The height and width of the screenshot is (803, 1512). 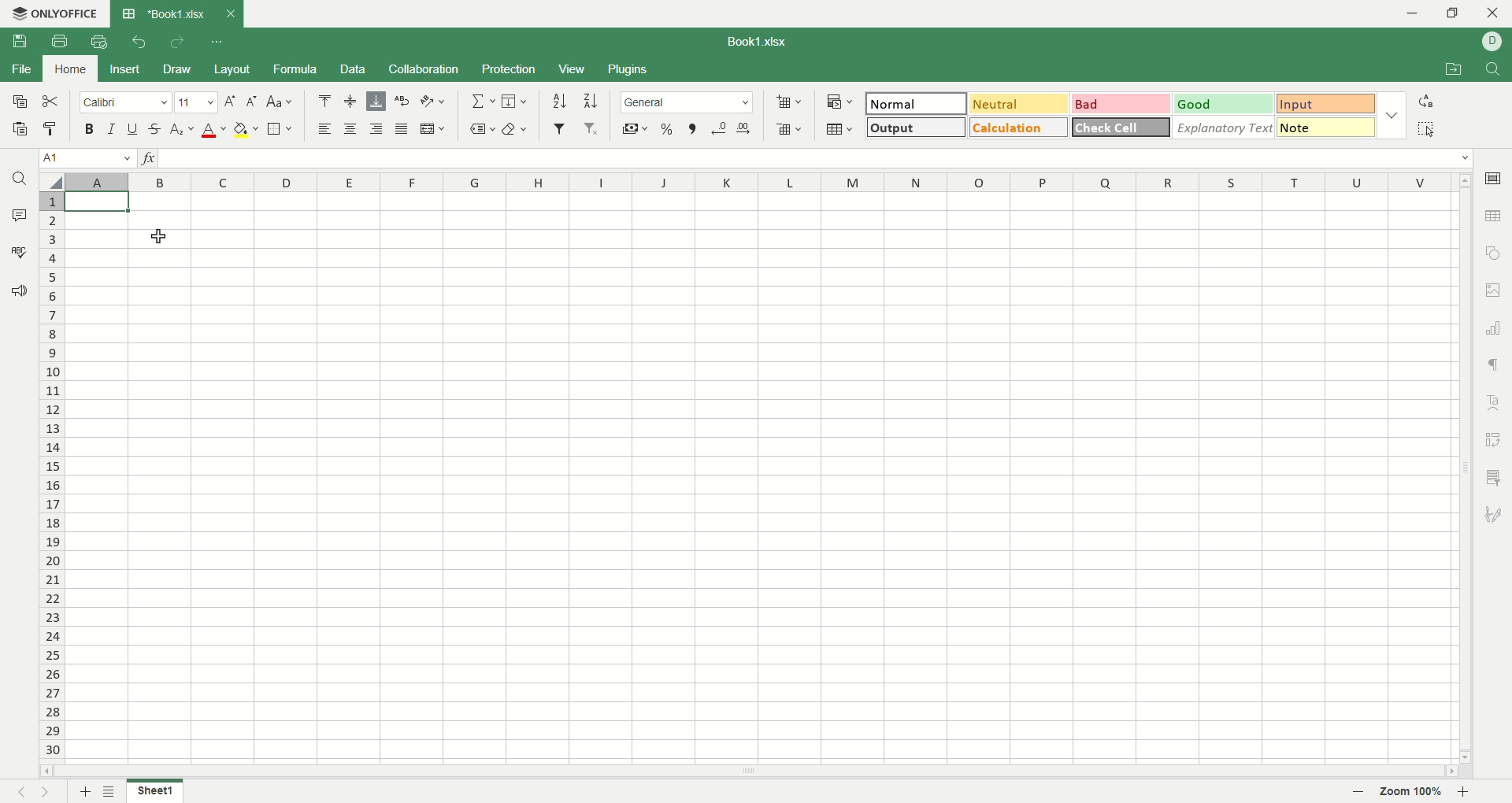 What do you see at coordinates (1020, 127) in the screenshot?
I see `calculation` at bounding box center [1020, 127].